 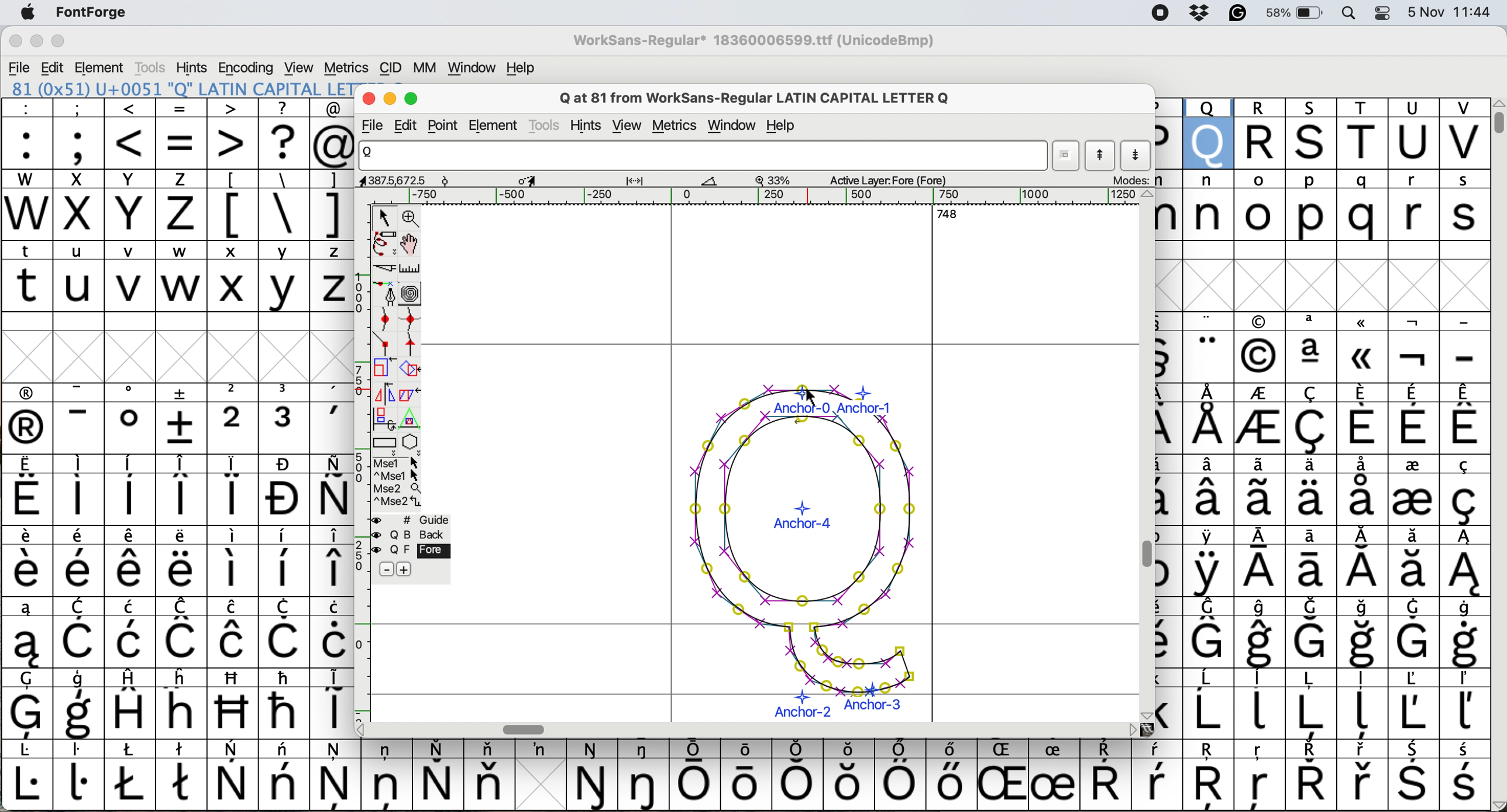 What do you see at coordinates (153, 64) in the screenshot?
I see `tools` at bounding box center [153, 64].